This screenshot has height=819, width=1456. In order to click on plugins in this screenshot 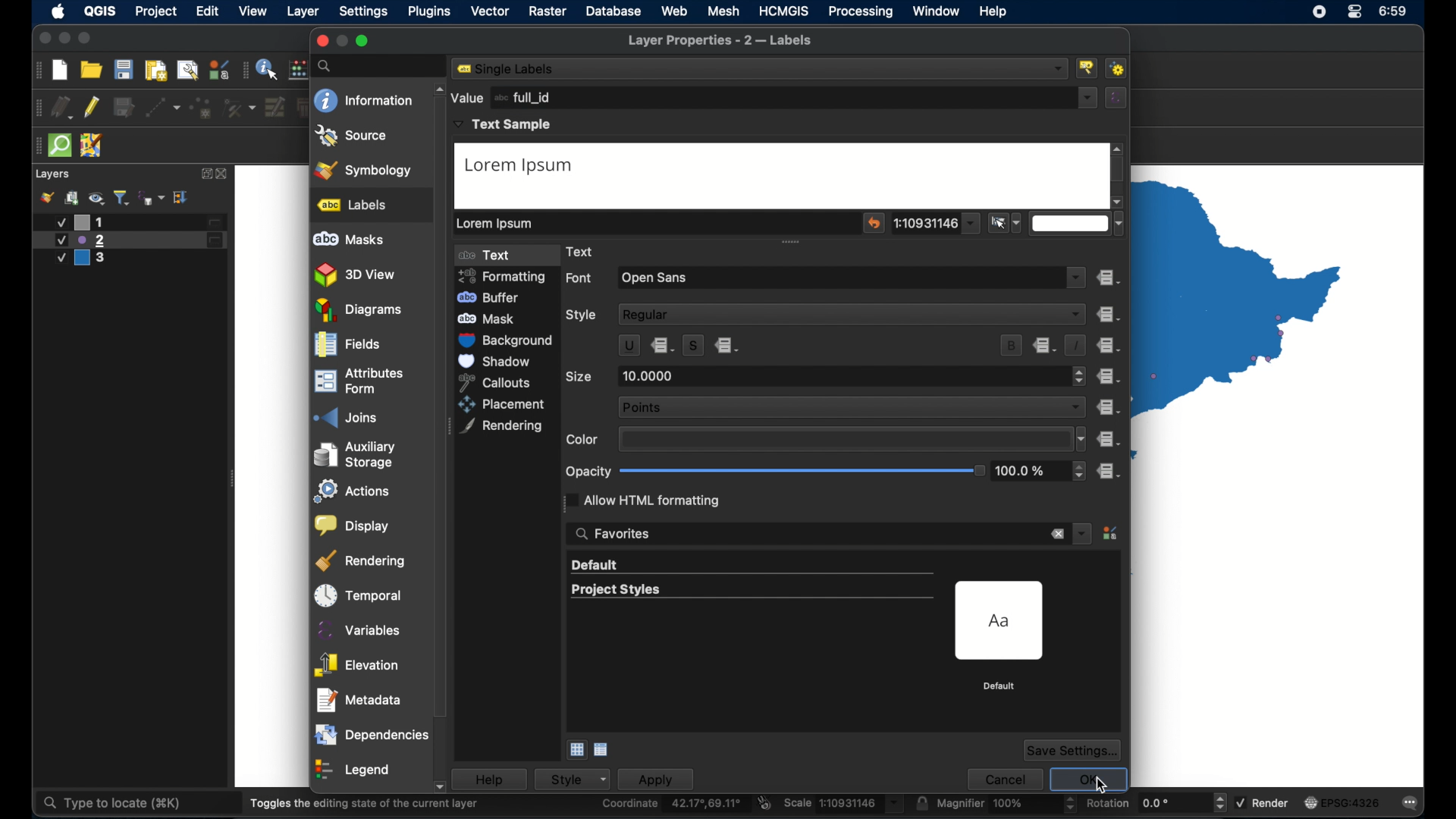, I will do `click(430, 11)`.